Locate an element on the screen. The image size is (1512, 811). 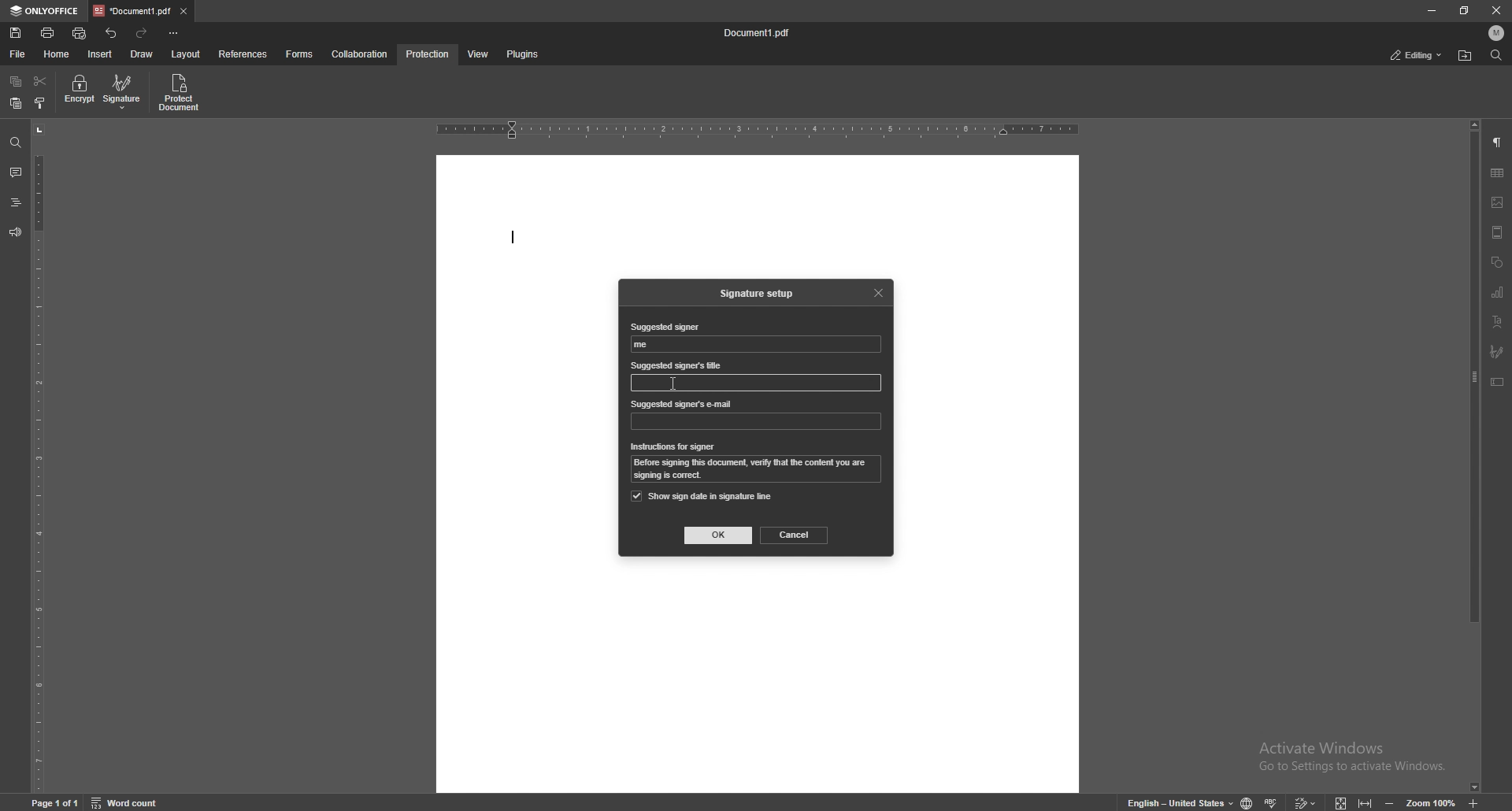
signature is located at coordinates (1497, 352).